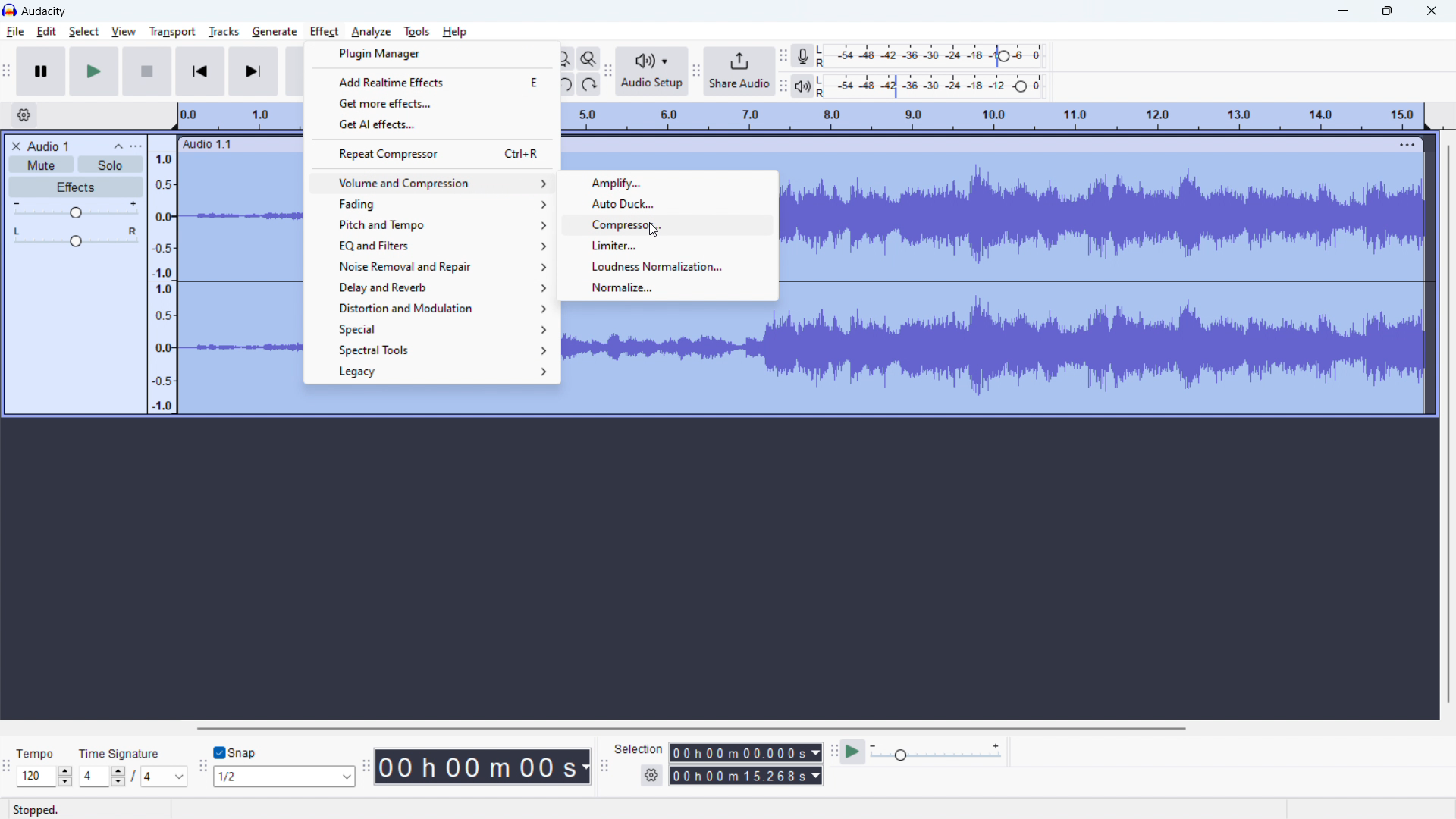 This screenshot has width=1456, height=819. I want to click on spectral tools, so click(429, 349).